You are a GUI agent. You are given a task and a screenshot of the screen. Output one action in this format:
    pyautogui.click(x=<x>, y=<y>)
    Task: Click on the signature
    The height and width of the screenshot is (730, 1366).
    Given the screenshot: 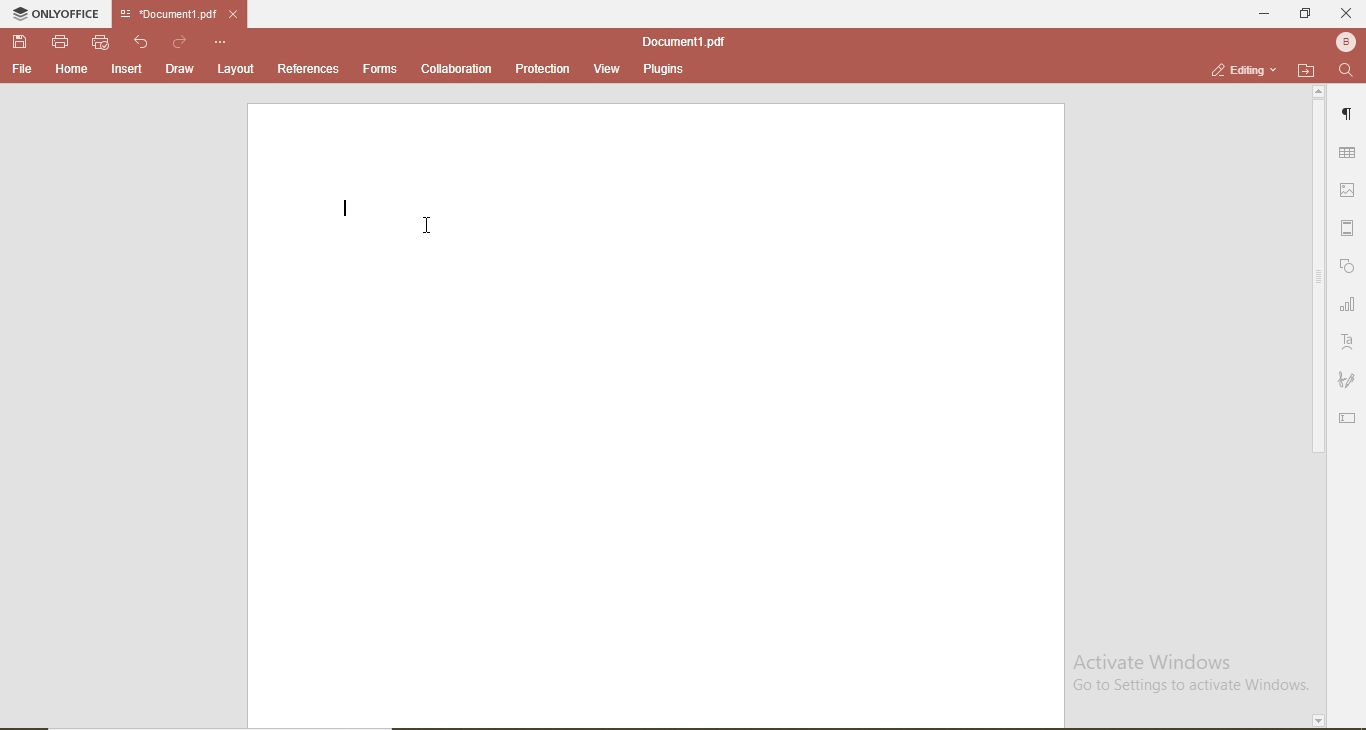 What is the action you would take?
    pyautogui.click(x=1348, y=377)
    